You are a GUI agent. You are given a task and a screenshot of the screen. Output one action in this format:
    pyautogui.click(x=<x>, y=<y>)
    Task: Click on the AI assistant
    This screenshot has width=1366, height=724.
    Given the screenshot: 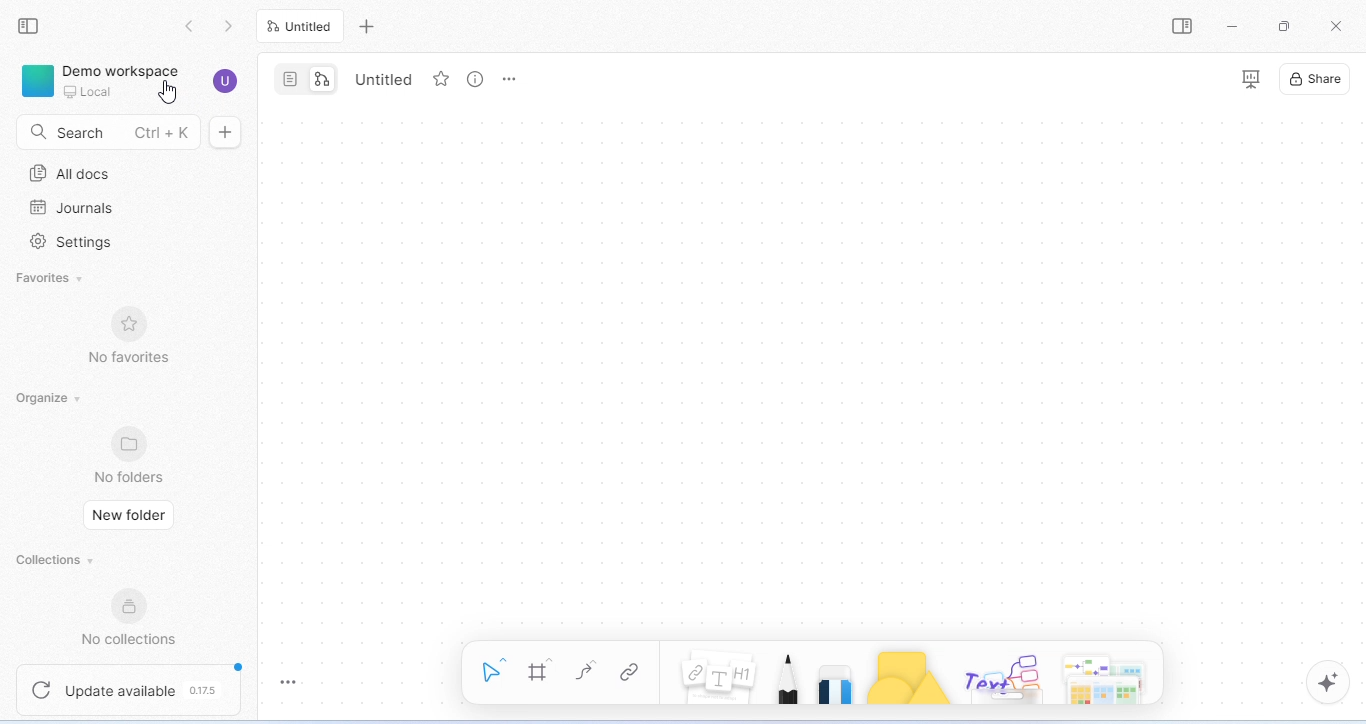 What is the action you would take?
    pyautogui.click(x=1320, y=683)
    